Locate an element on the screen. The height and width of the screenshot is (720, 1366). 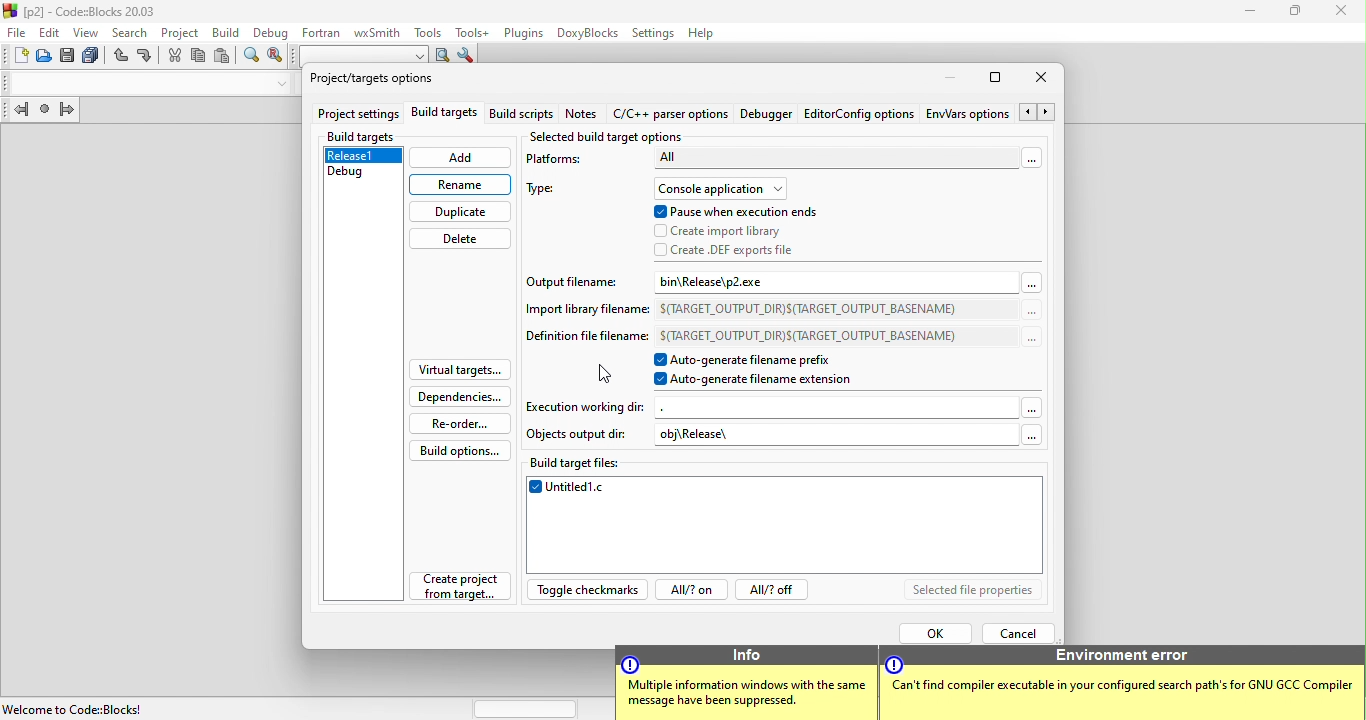
view is located at coordinates (89, 32).